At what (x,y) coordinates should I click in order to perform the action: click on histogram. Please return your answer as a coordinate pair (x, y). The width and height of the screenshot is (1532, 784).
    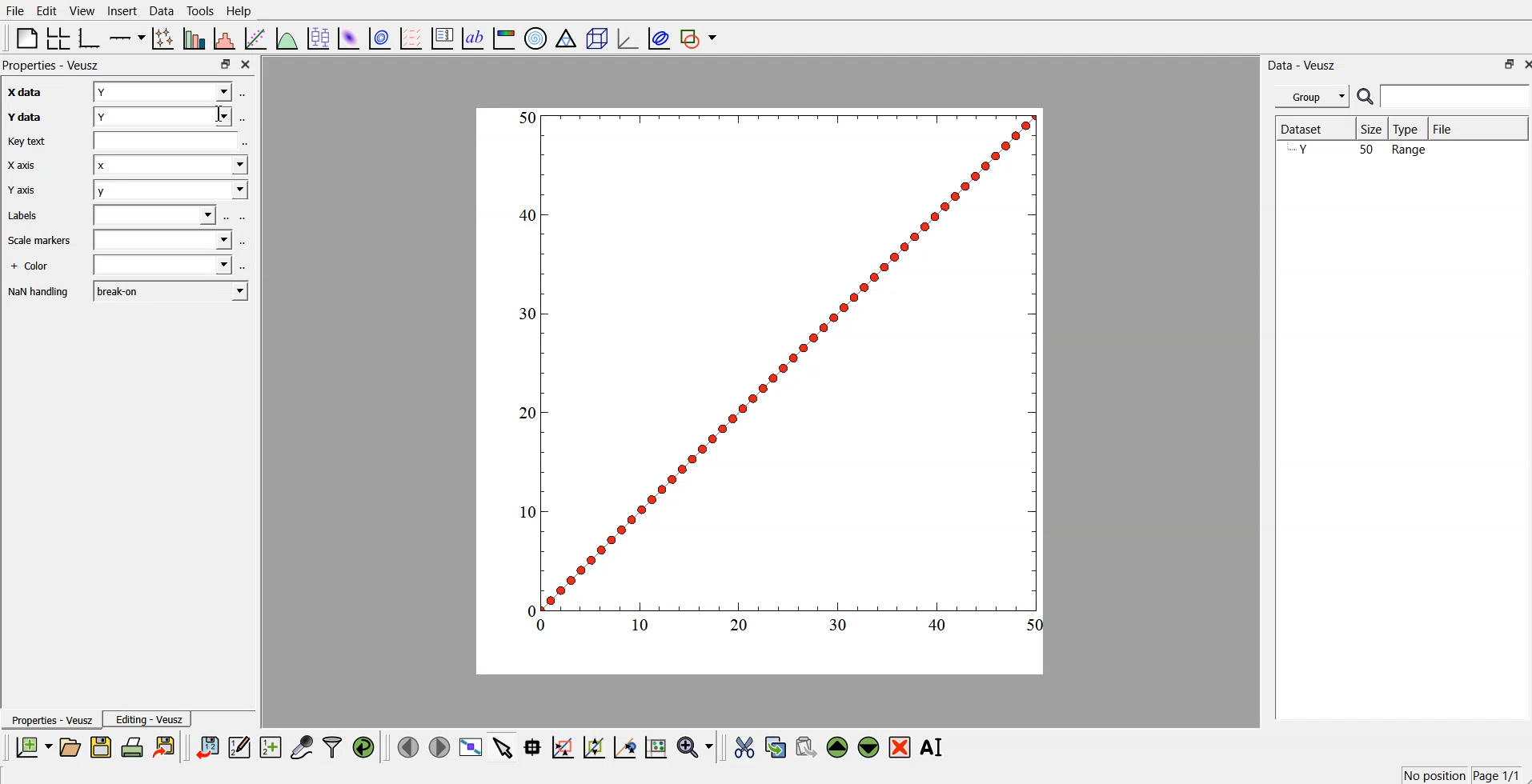
    Looking at the image, I should click on (226, 37).